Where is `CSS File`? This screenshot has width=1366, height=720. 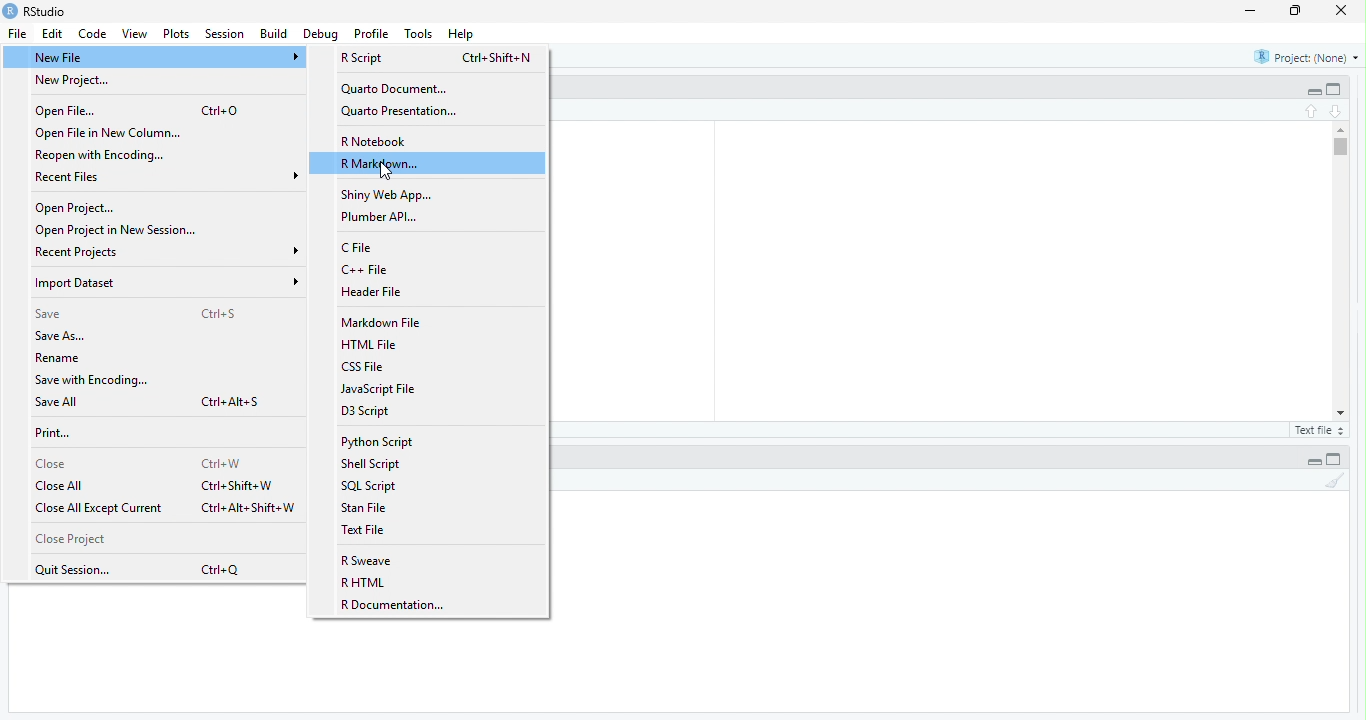
CSS File is located at coordinates (365, 366).